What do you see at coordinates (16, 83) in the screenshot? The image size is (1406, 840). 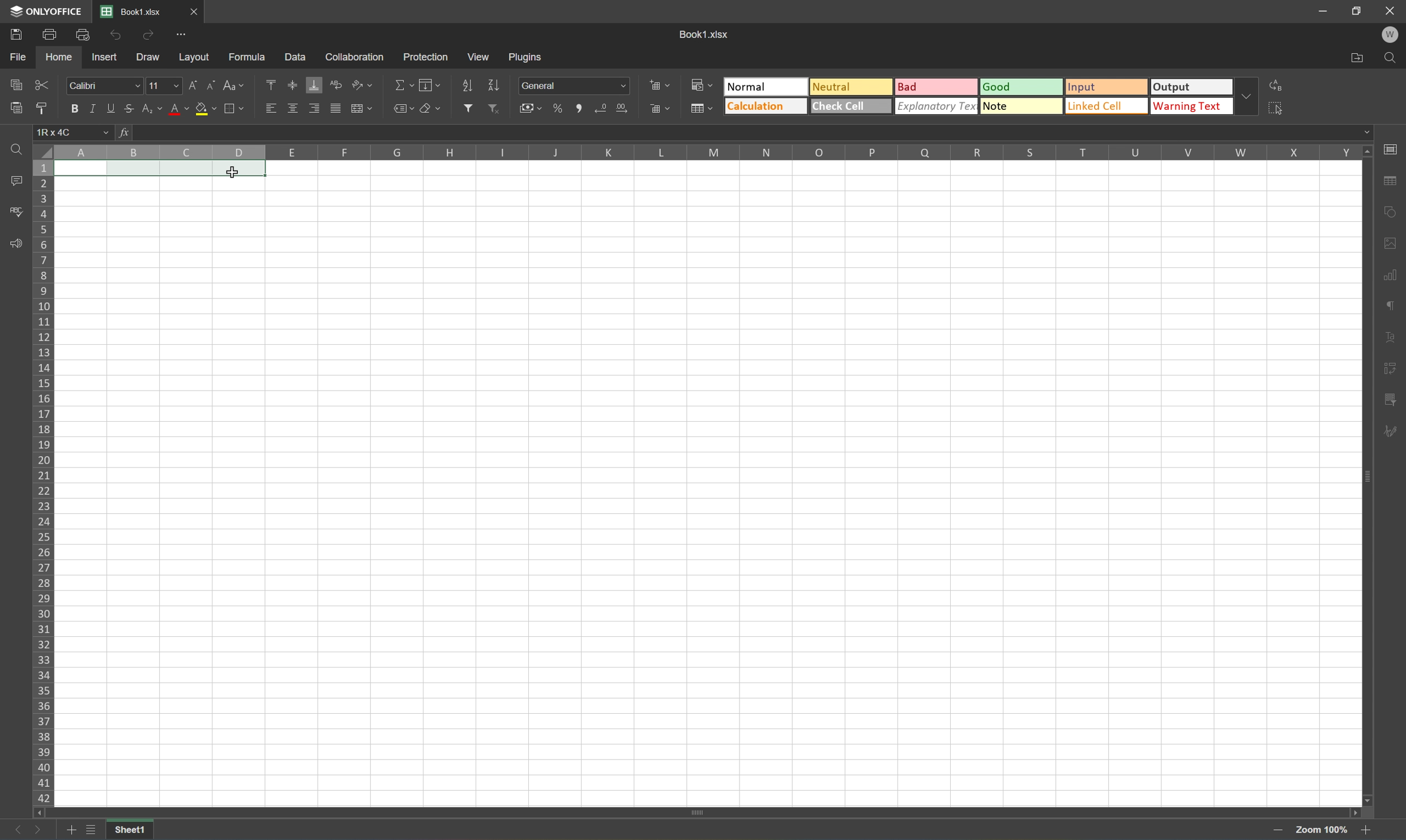 I see `Copy` at bounding box center [16, 83].